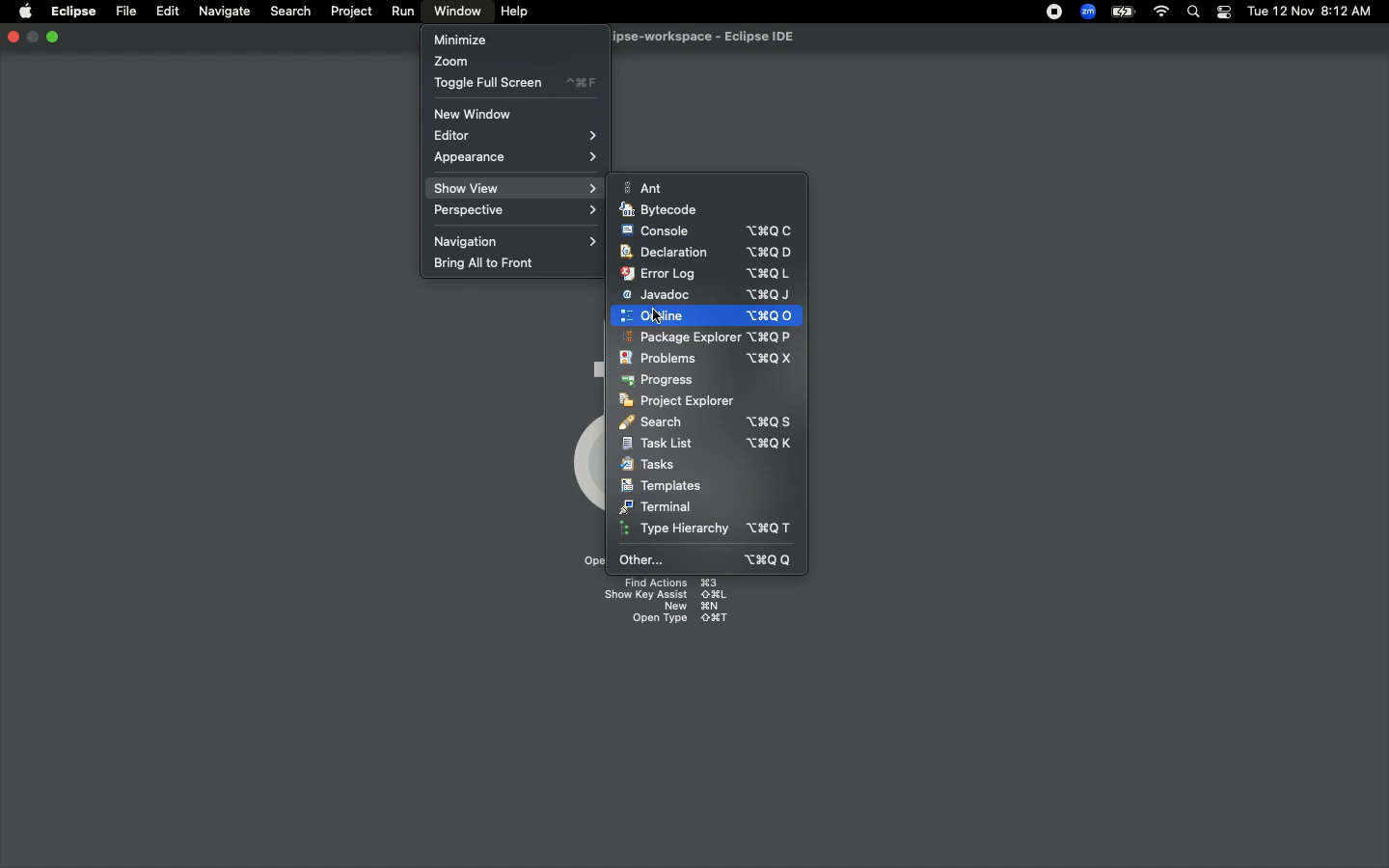 The height and width of the screenshot is (868, 1389). Describe the element at coordinates (1085, 12) in the screenshot. I see `Zoom` at that location.